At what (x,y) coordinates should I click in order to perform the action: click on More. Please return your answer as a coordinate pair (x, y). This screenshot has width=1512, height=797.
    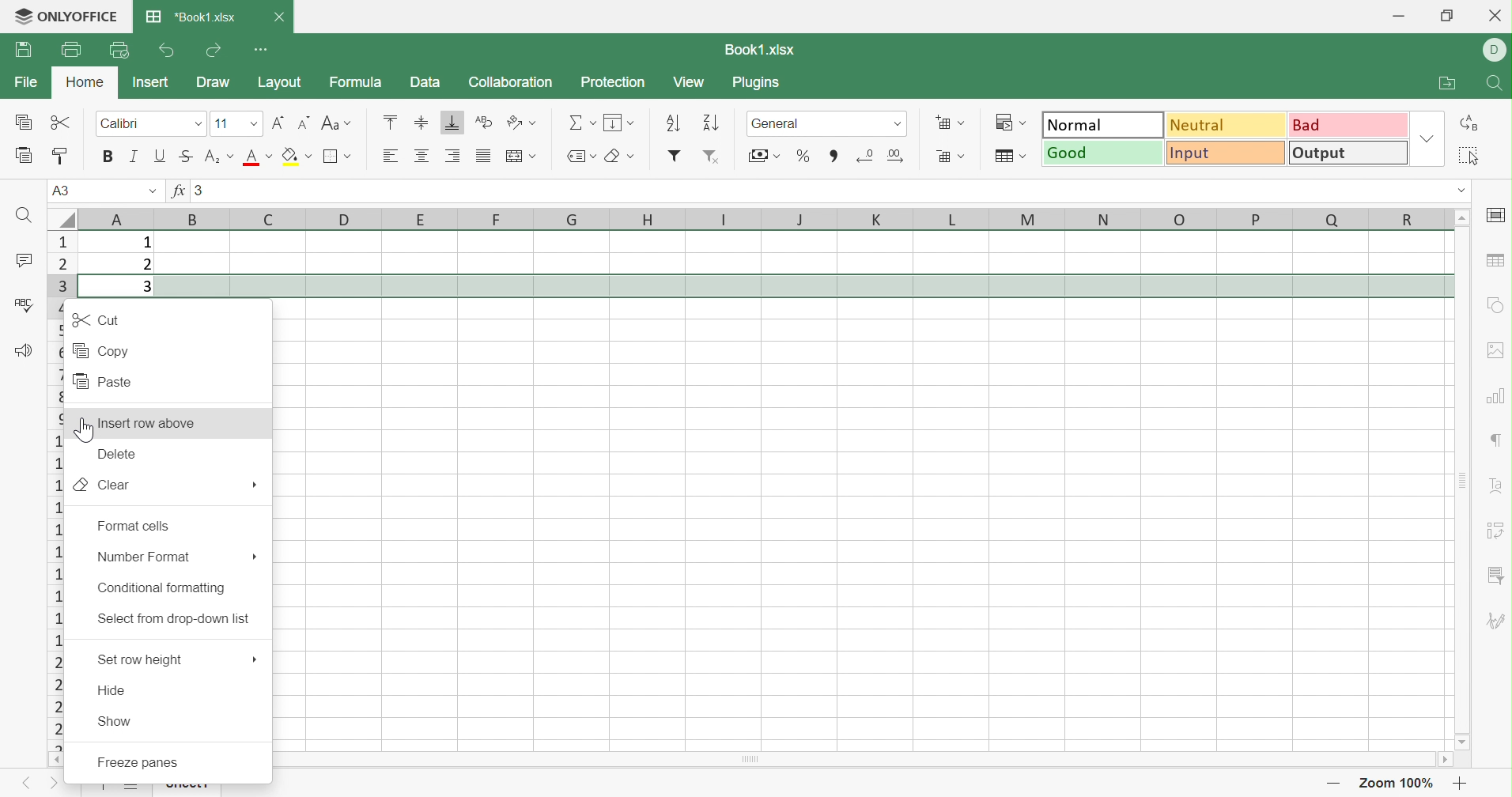
    Looking at the image, I should click on (256, 485).